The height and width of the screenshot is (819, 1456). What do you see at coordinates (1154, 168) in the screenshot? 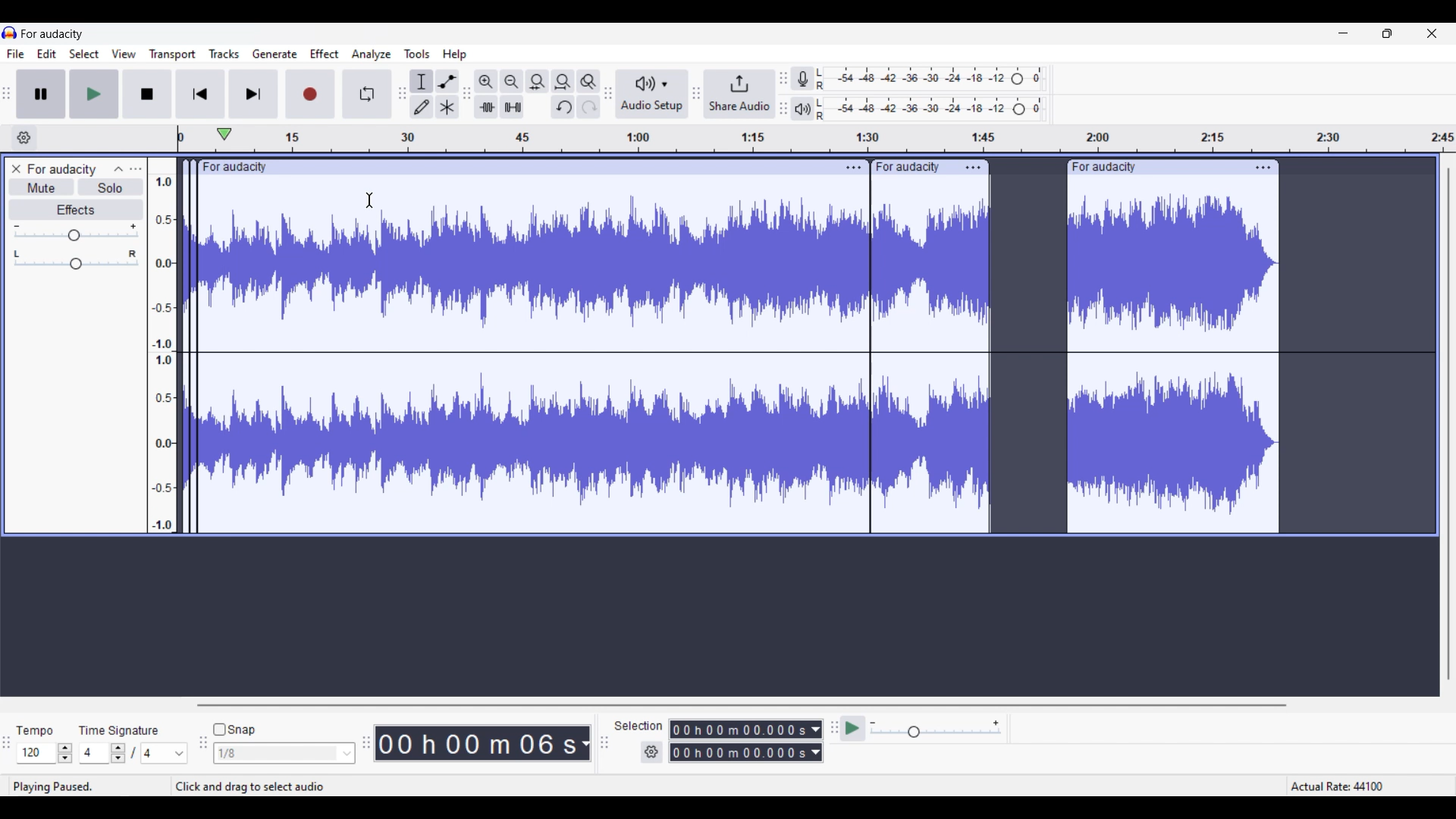
I see `click to drag` at bounding box center [1154, 168].